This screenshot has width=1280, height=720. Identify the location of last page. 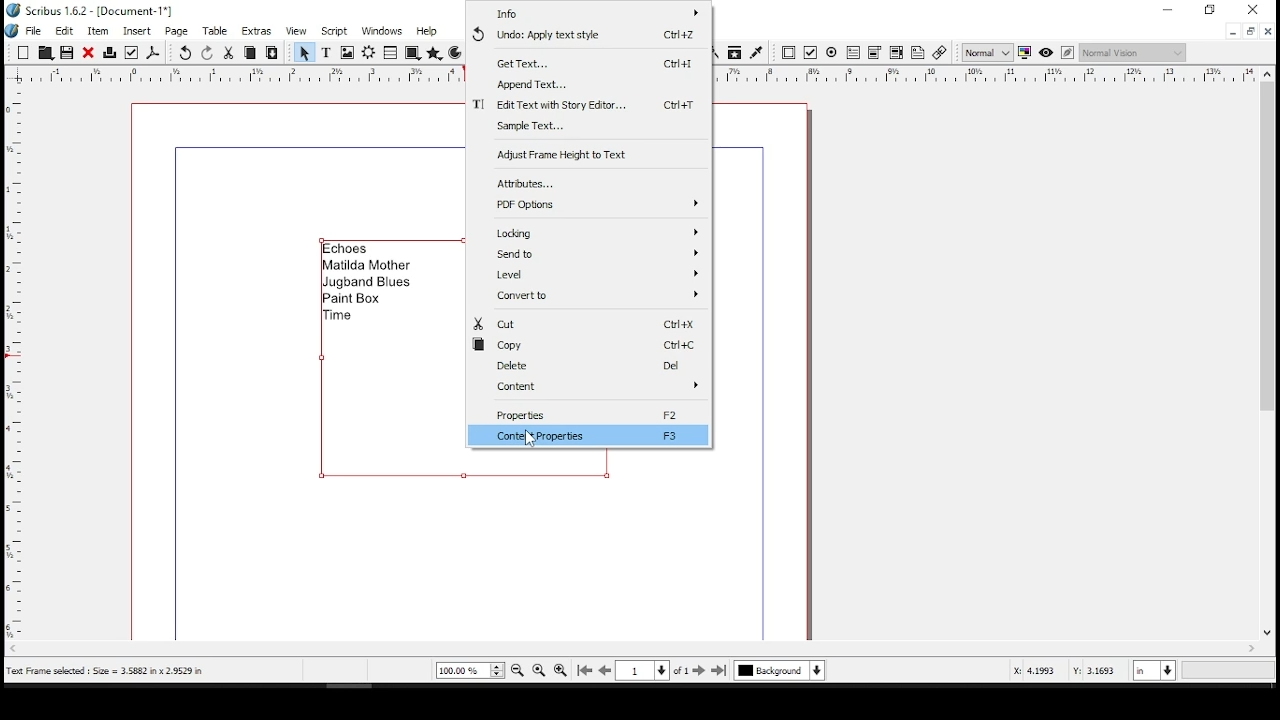
(720, 670).